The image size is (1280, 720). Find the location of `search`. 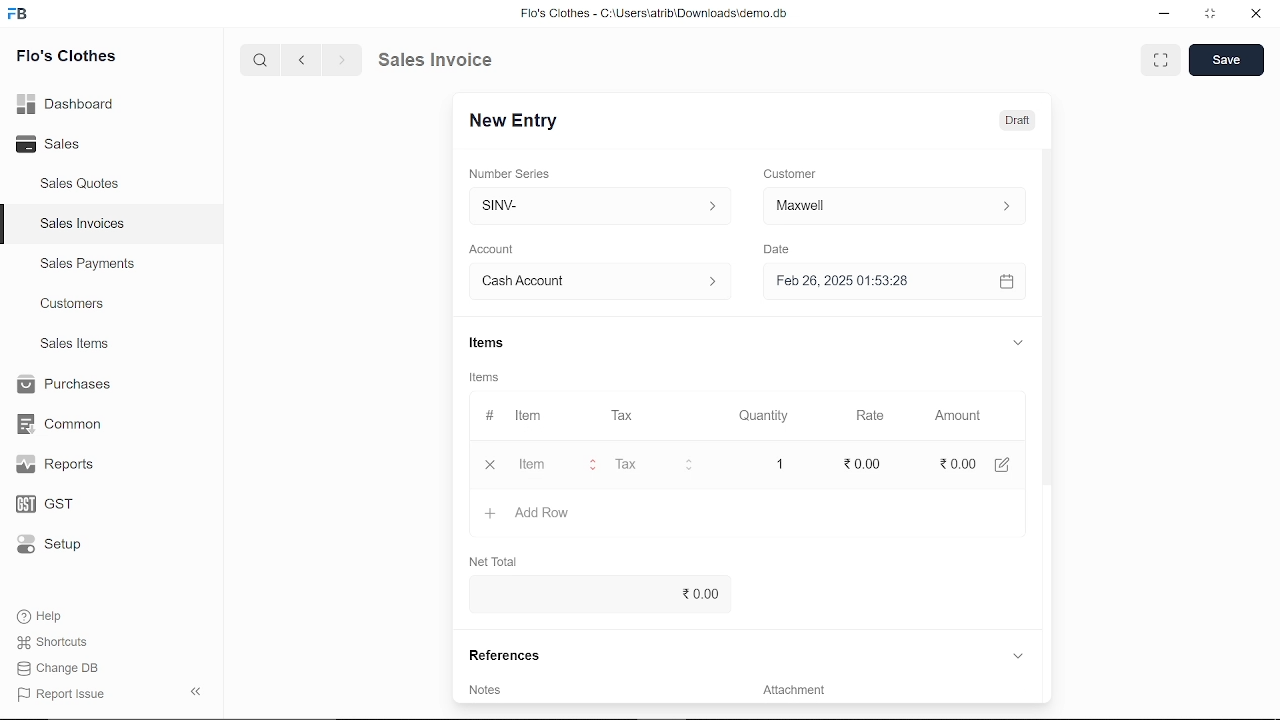

search is located at coordinates (262, 59).